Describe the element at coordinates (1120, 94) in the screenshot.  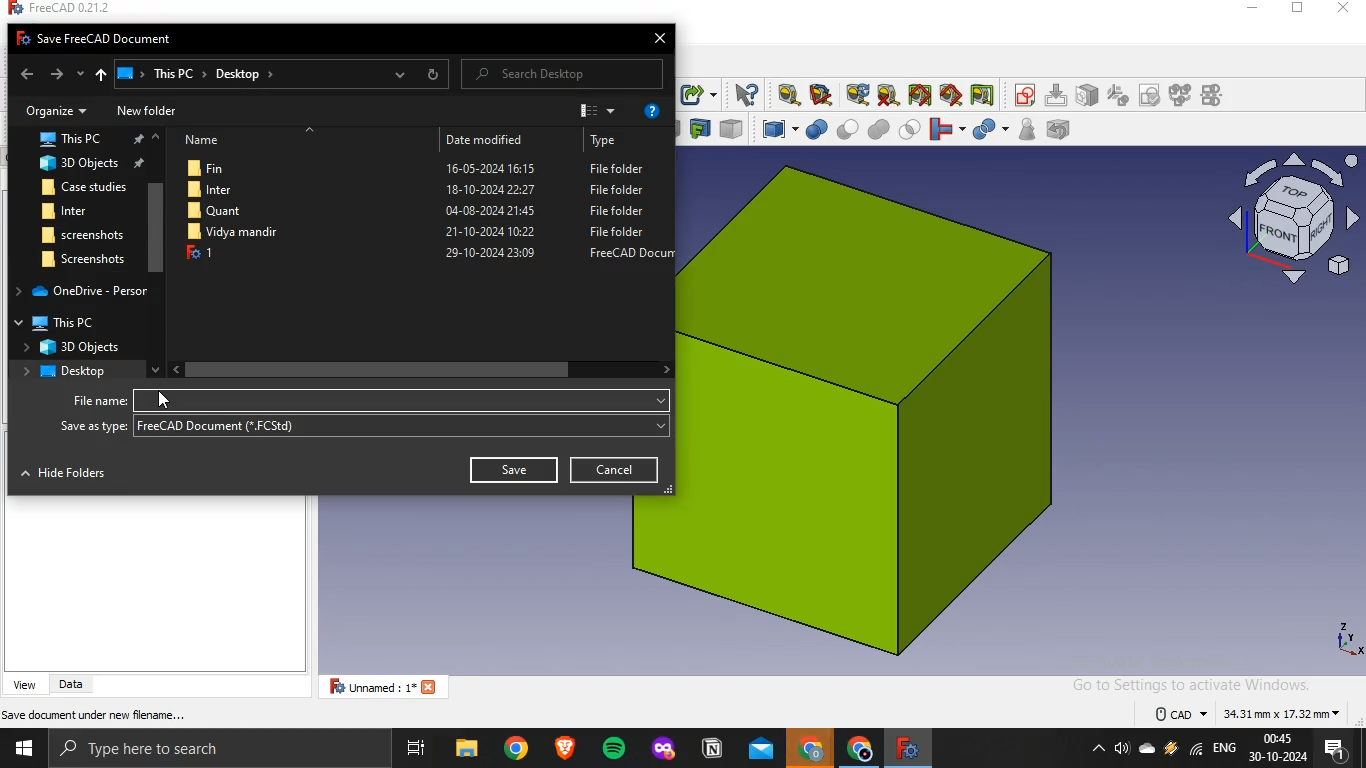
I see `icon` at that location.